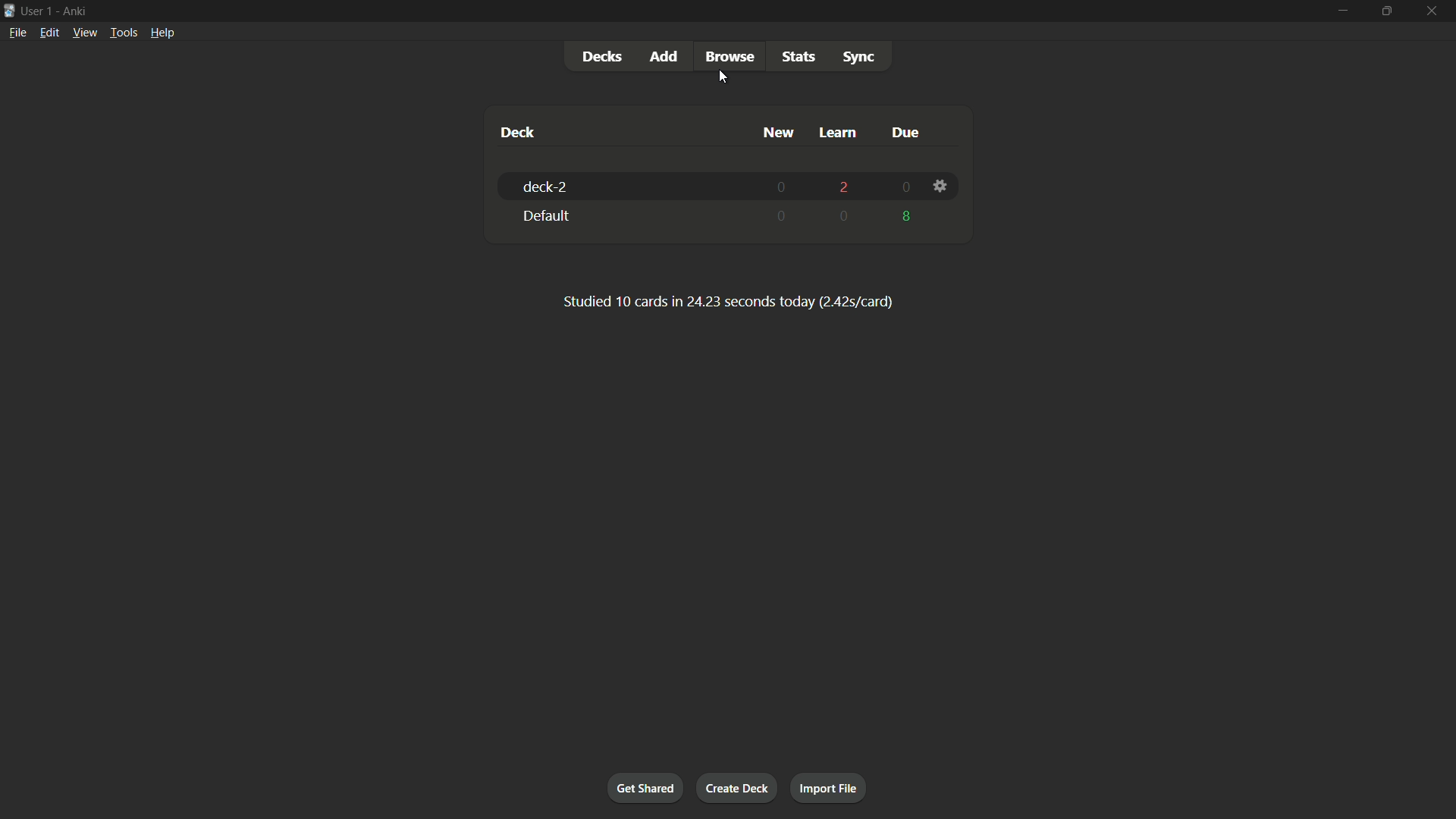 This screenshot has width=1456, height=819. What do you see at coordinates (727, 300) in the screenshot?
I see `Studied 10 cards in 24.23 seconds today (2.42s/card)` at bounding box center [727, 300].